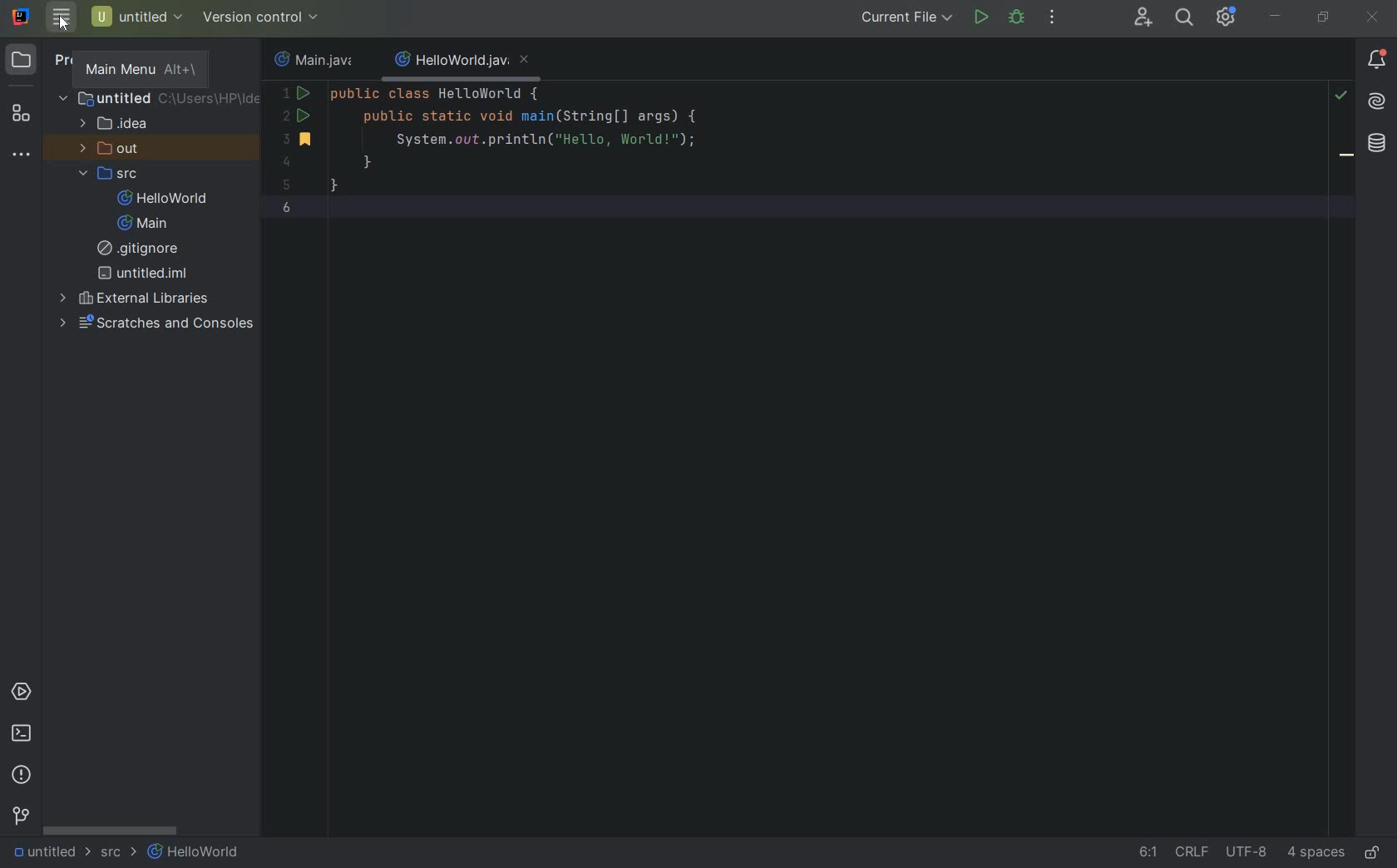 This screenshot has height=868, width=1397. I want to click on VERSION CONTROL, so click(18, 816).